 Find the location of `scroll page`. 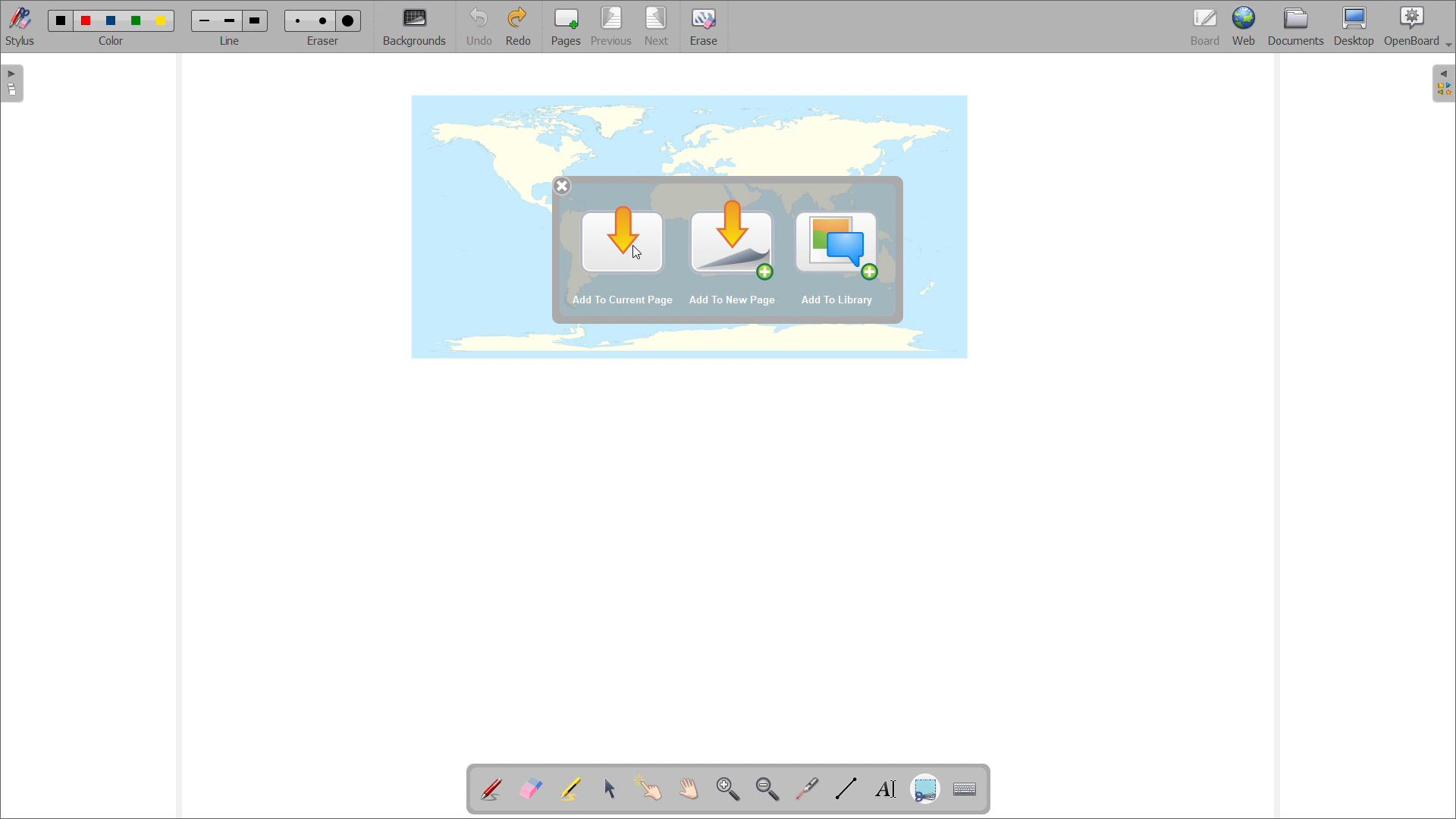

scroll page is located at coordinates (688, 788).